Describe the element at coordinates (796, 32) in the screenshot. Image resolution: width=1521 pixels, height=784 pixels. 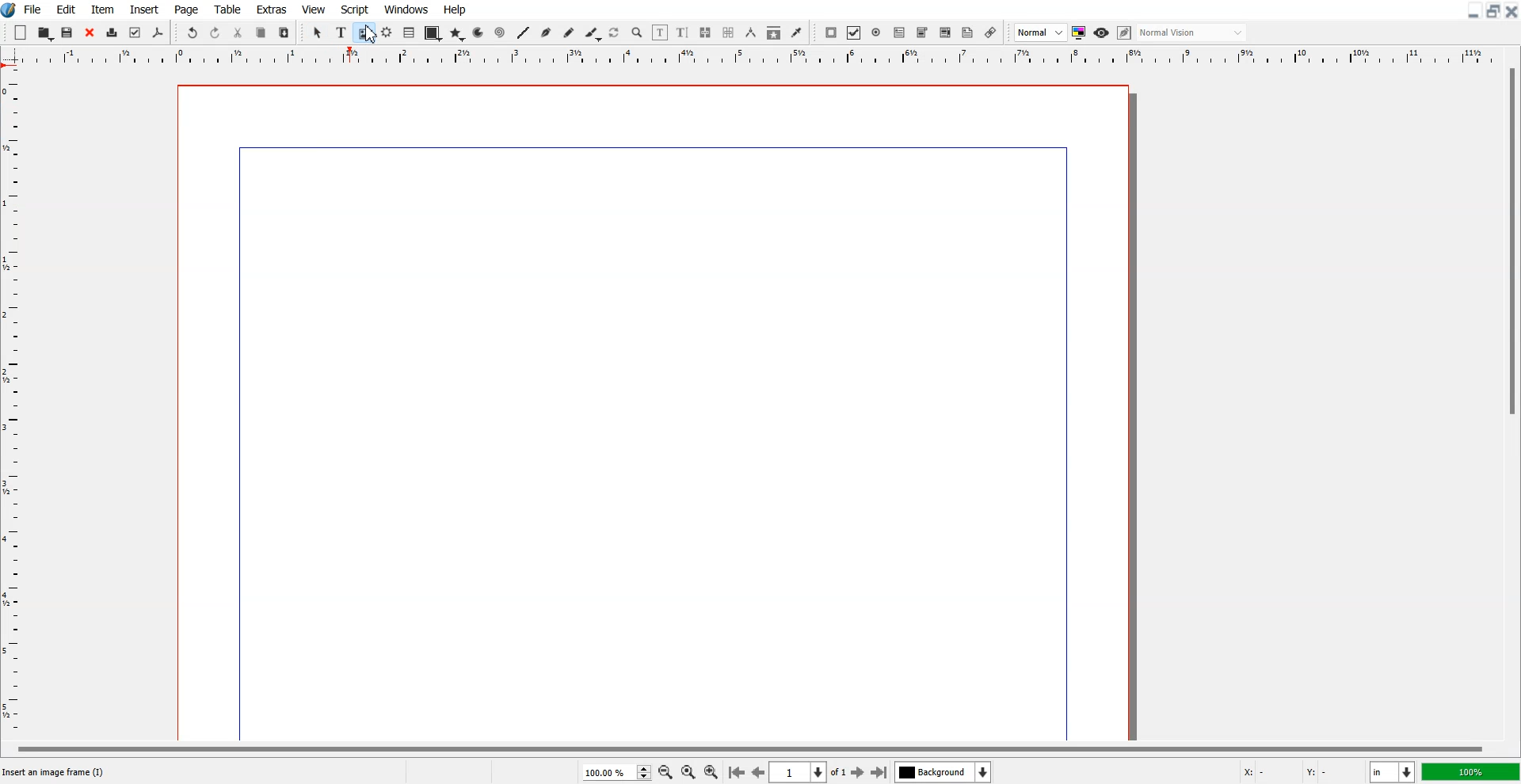
I see `Eye Dropper` at that location.